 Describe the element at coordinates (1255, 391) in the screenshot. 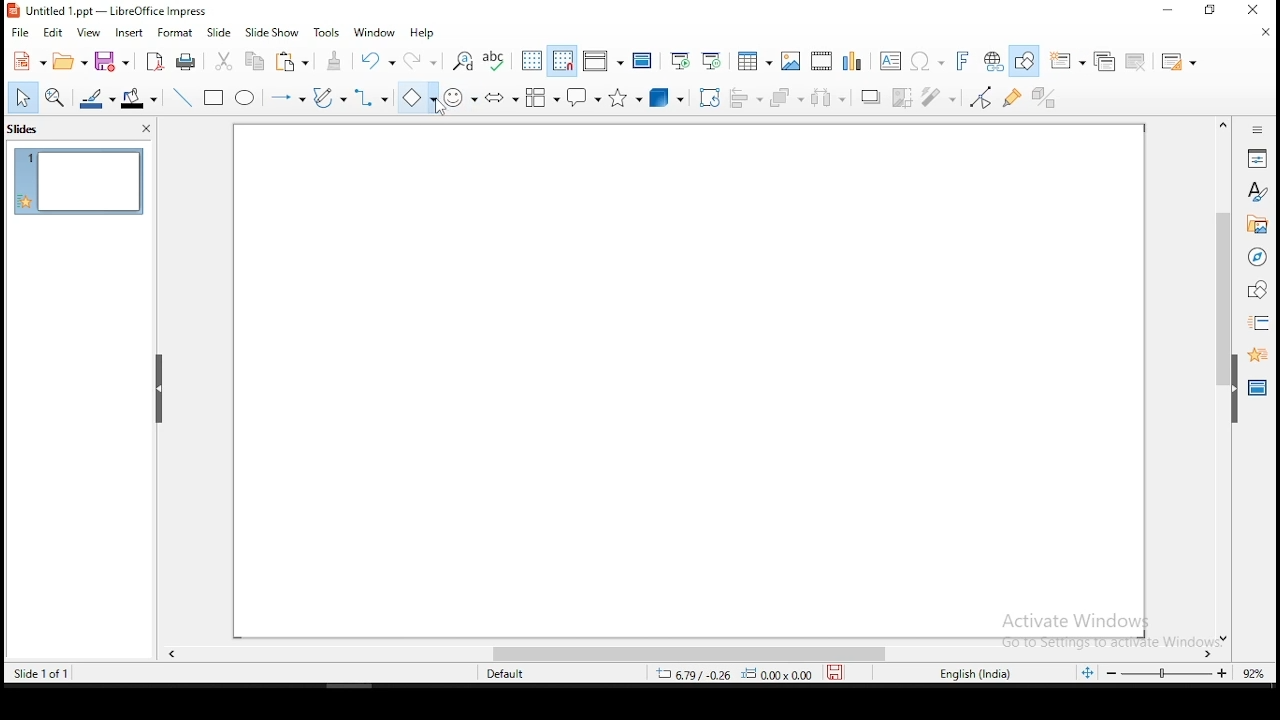

I see `master slides` at that location.